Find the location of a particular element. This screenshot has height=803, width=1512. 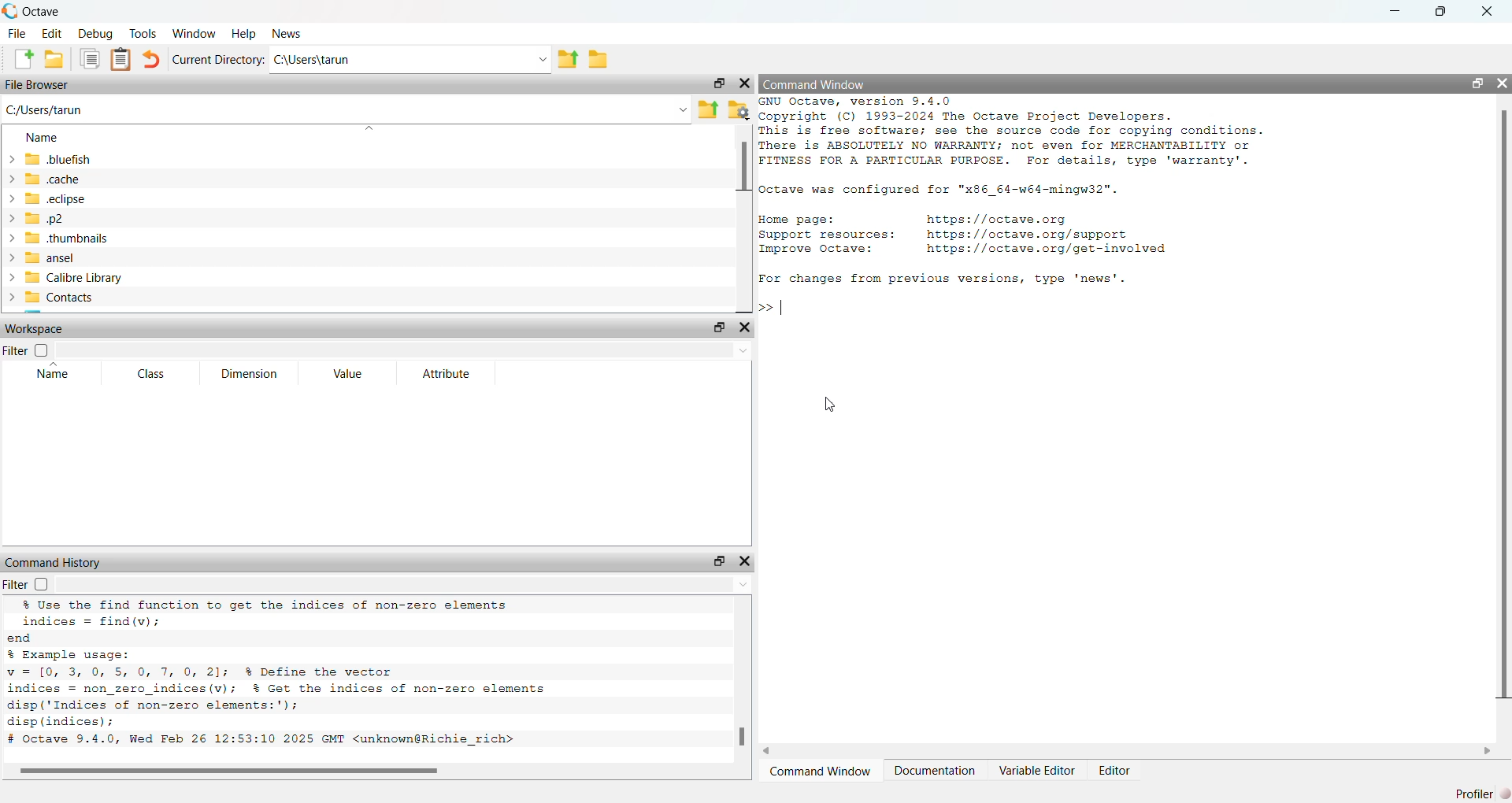

thumbnails is located at coordinates (65, 240).